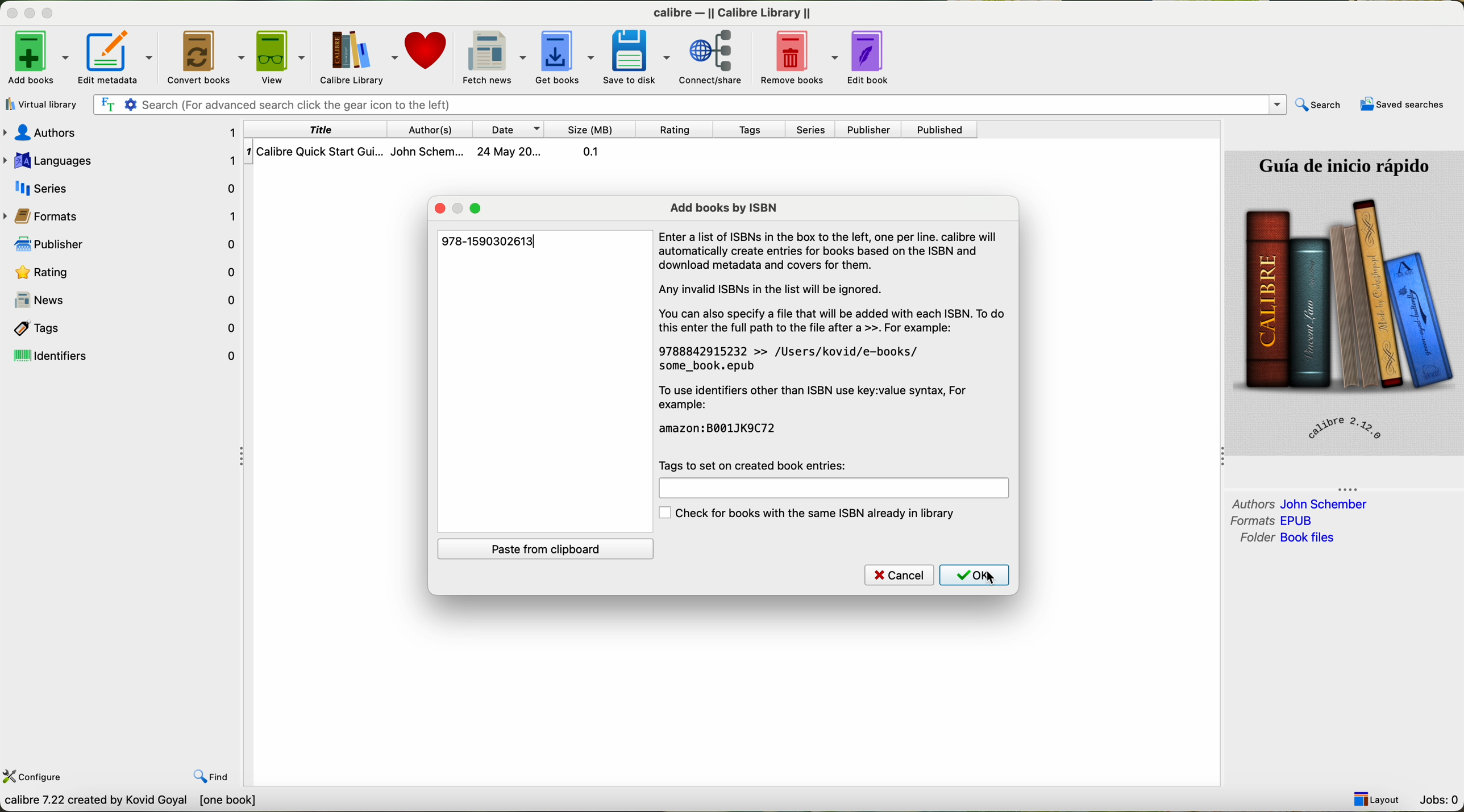  What do you see at coordinates (873, 57) in the screenshot?
I see `edit book` at bounding box center [873, 57].